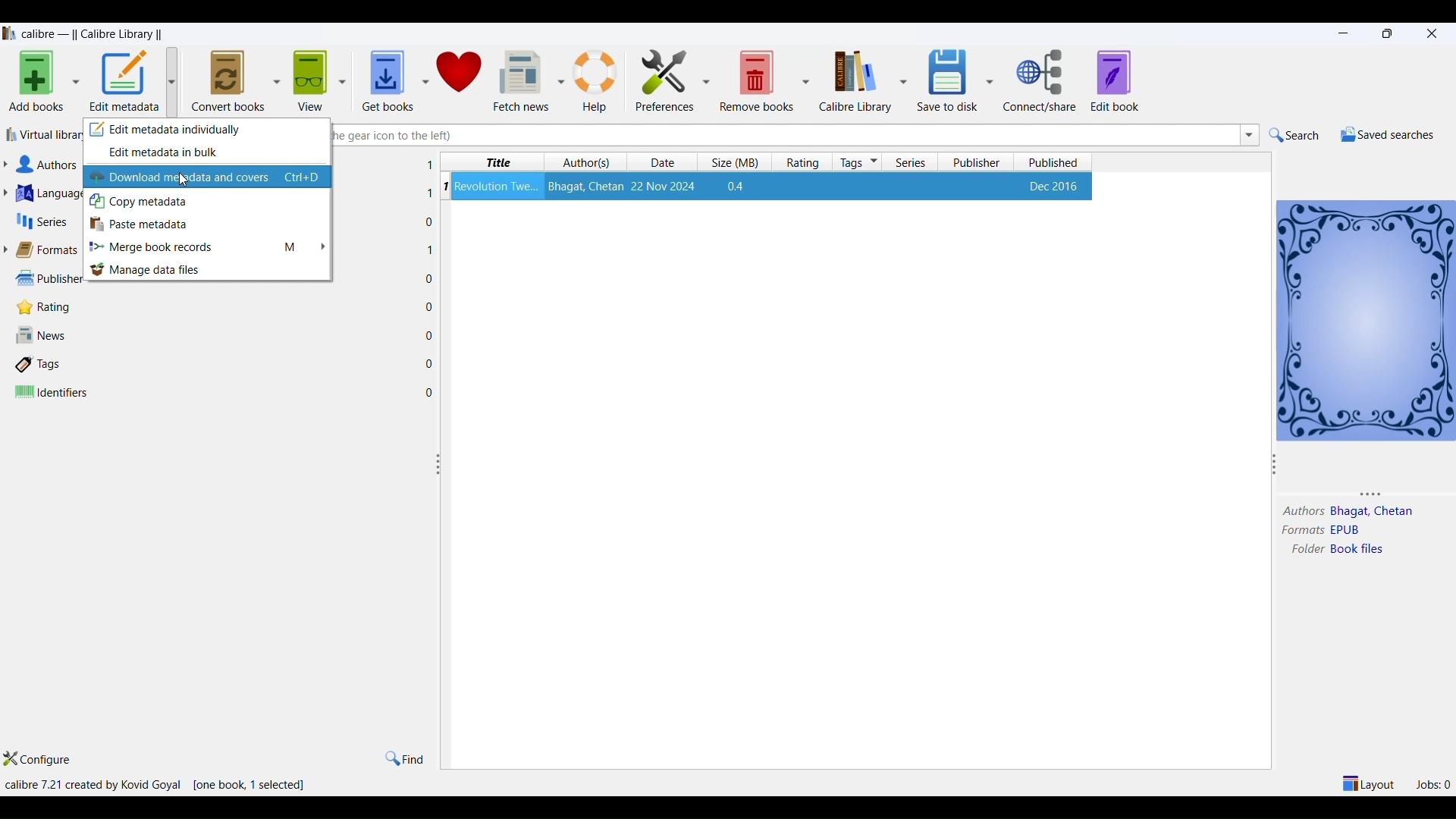 The image size is (1456, 819). What do you see at coordinates (981, 162) in the screenshot?
I see `publisher` at bounding box center [981, 162].